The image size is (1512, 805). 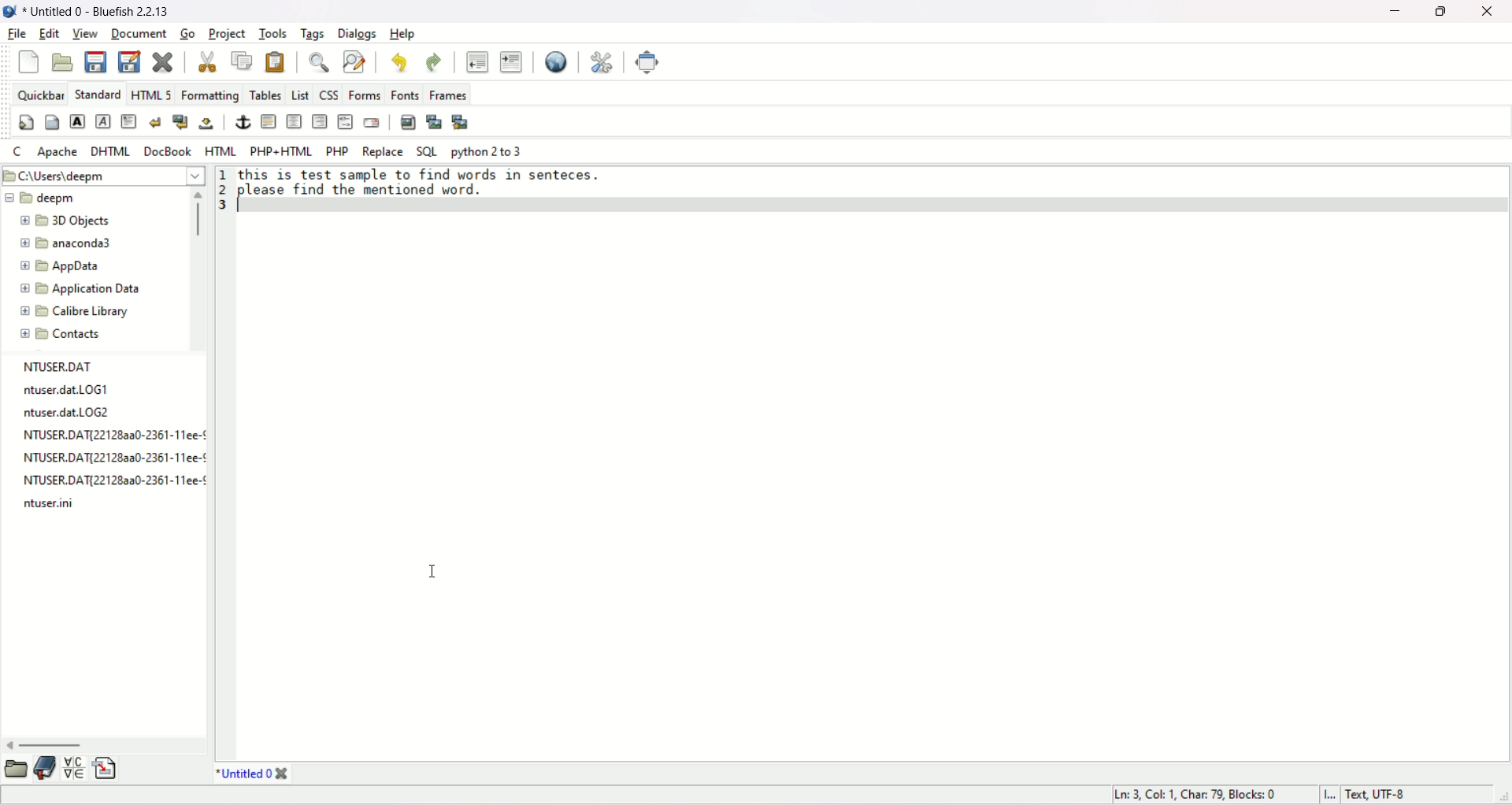 What do you see at coordinates (1491, 12) in the screenshot?
I see `close` at bounding box center [1491, 12].